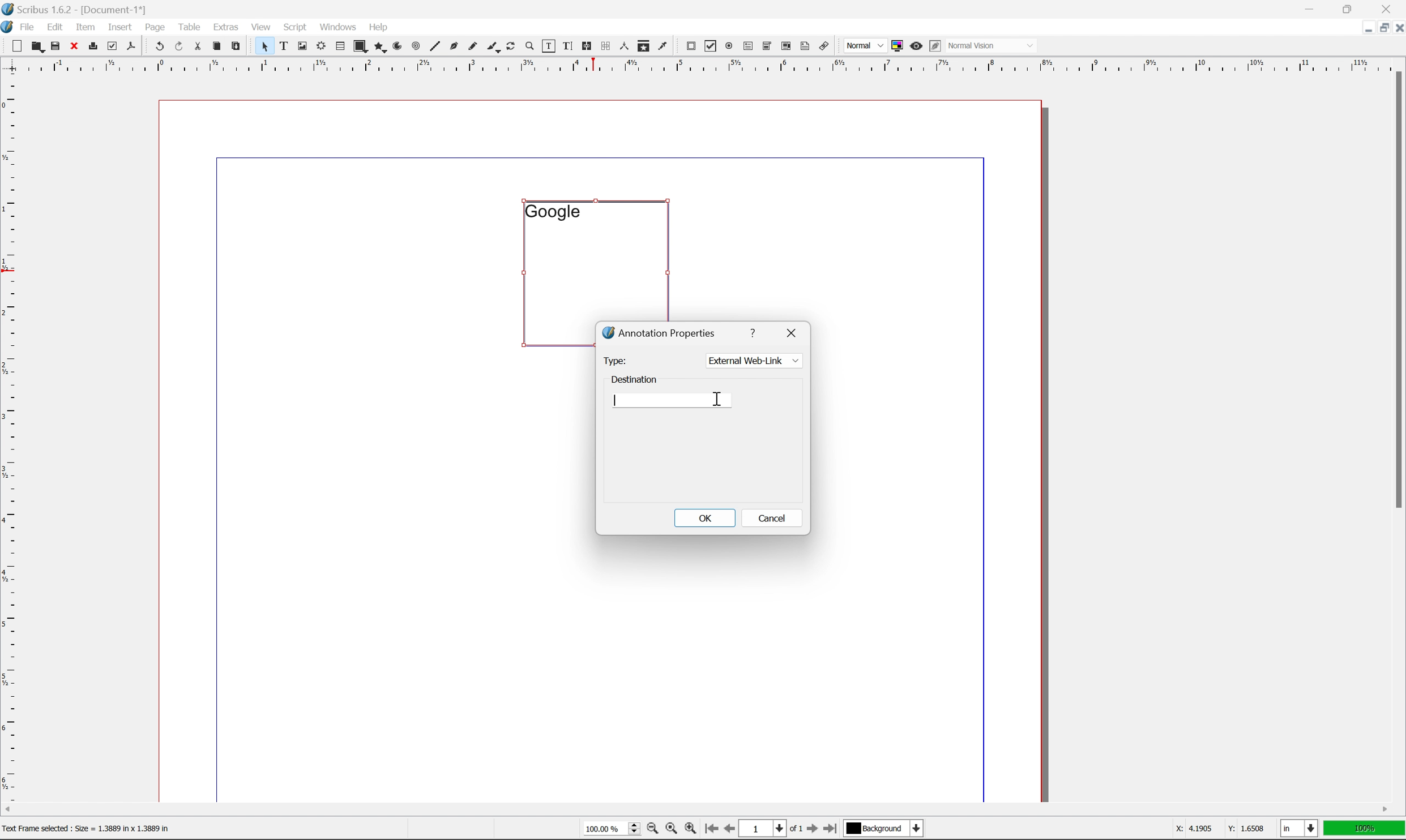 The width and height of the screenshot is (1406, 840). What do you see at coordinates (132, 46) in the screenshot?
I see `save as pdf` at bounding box center [132, 46].